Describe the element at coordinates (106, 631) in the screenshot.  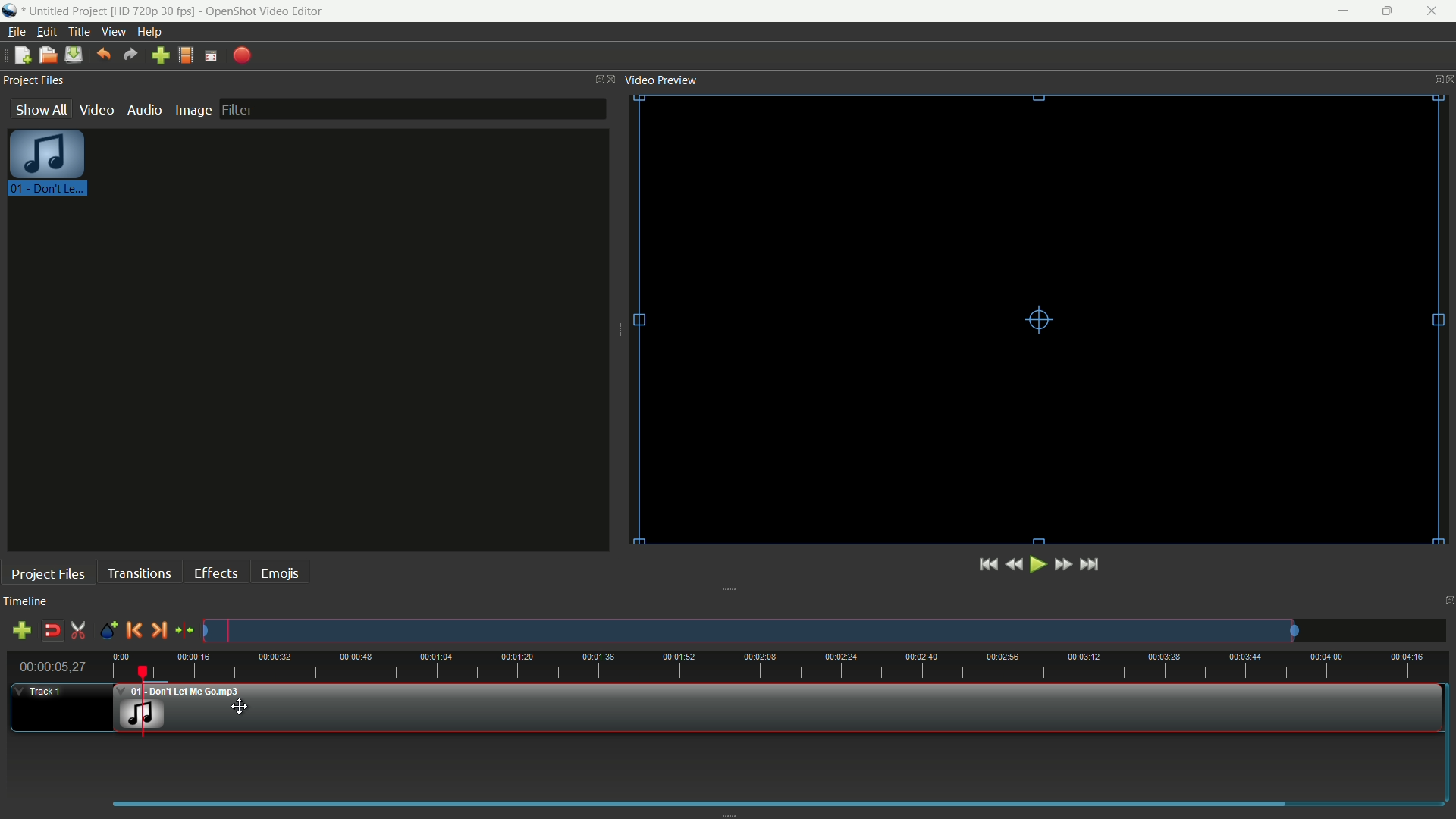
I see `create marker` at that location.